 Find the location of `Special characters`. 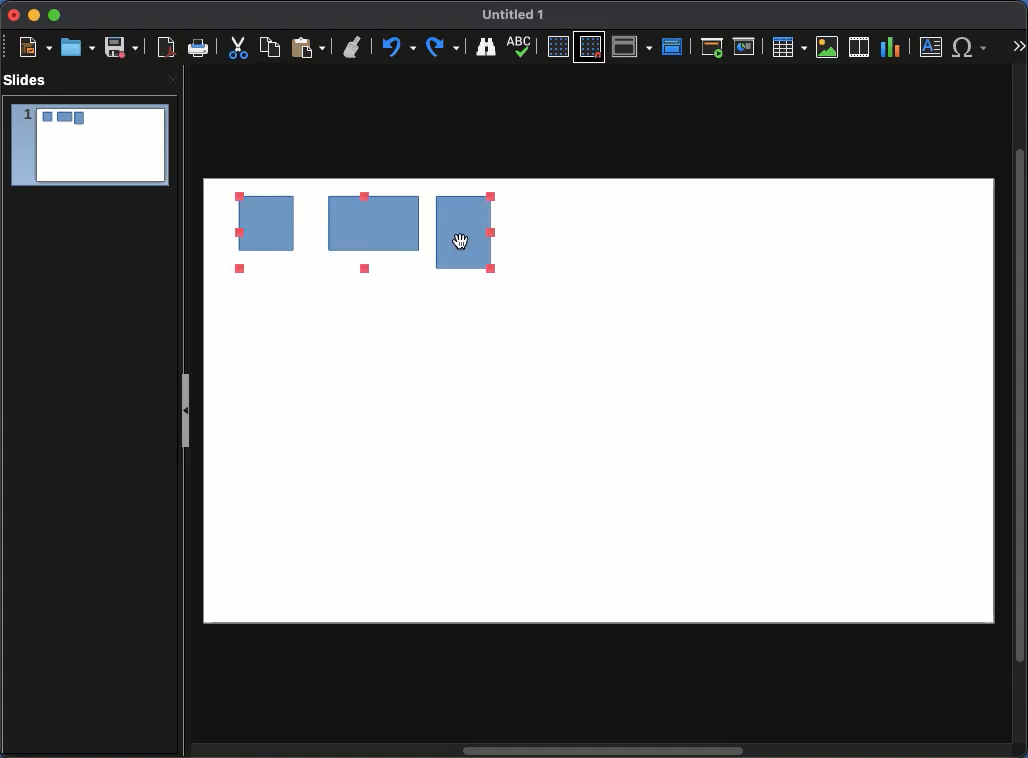

Special characters is located at coordinates (970, 47).